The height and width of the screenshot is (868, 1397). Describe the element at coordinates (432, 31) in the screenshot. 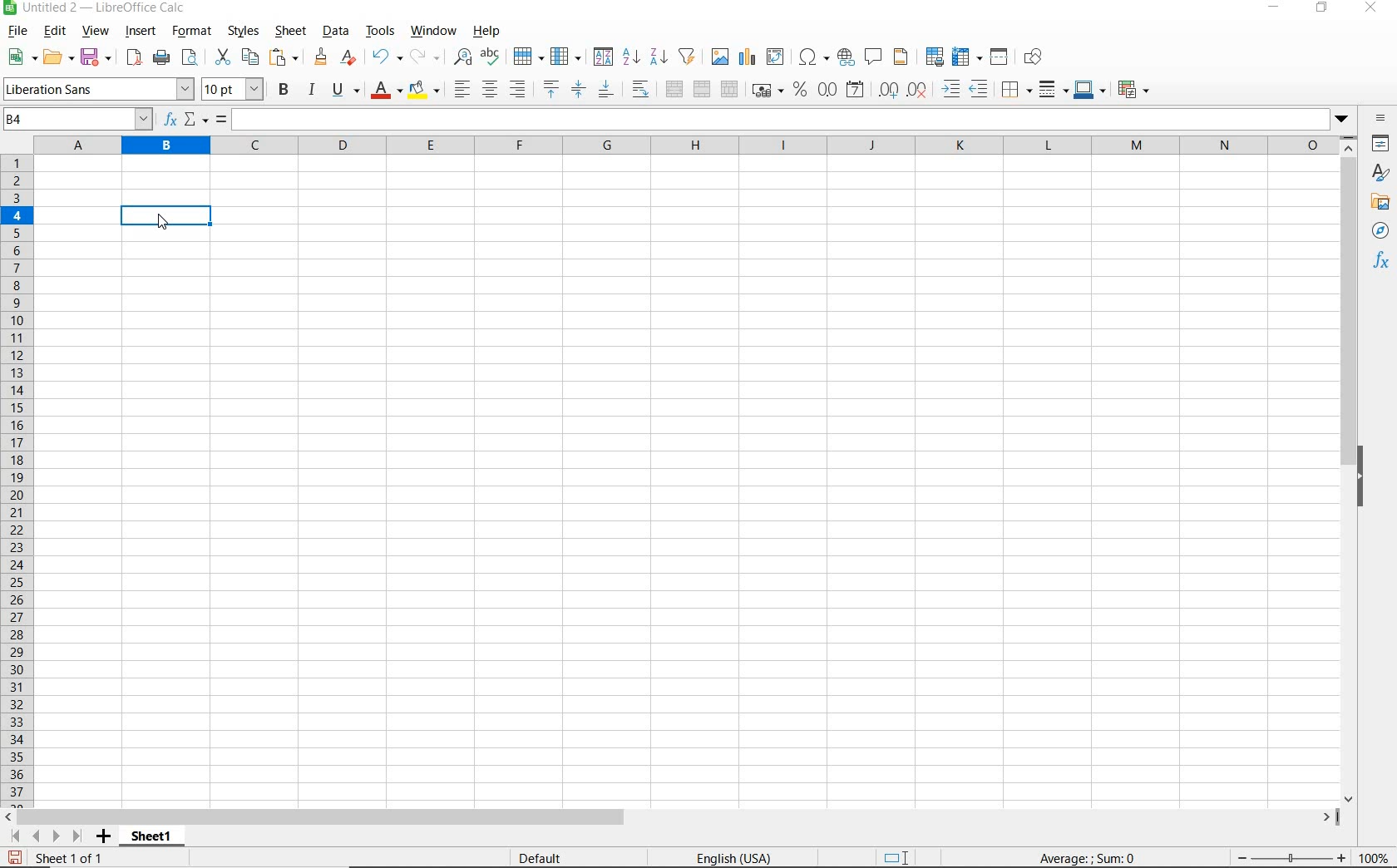

I see `window` at that location.